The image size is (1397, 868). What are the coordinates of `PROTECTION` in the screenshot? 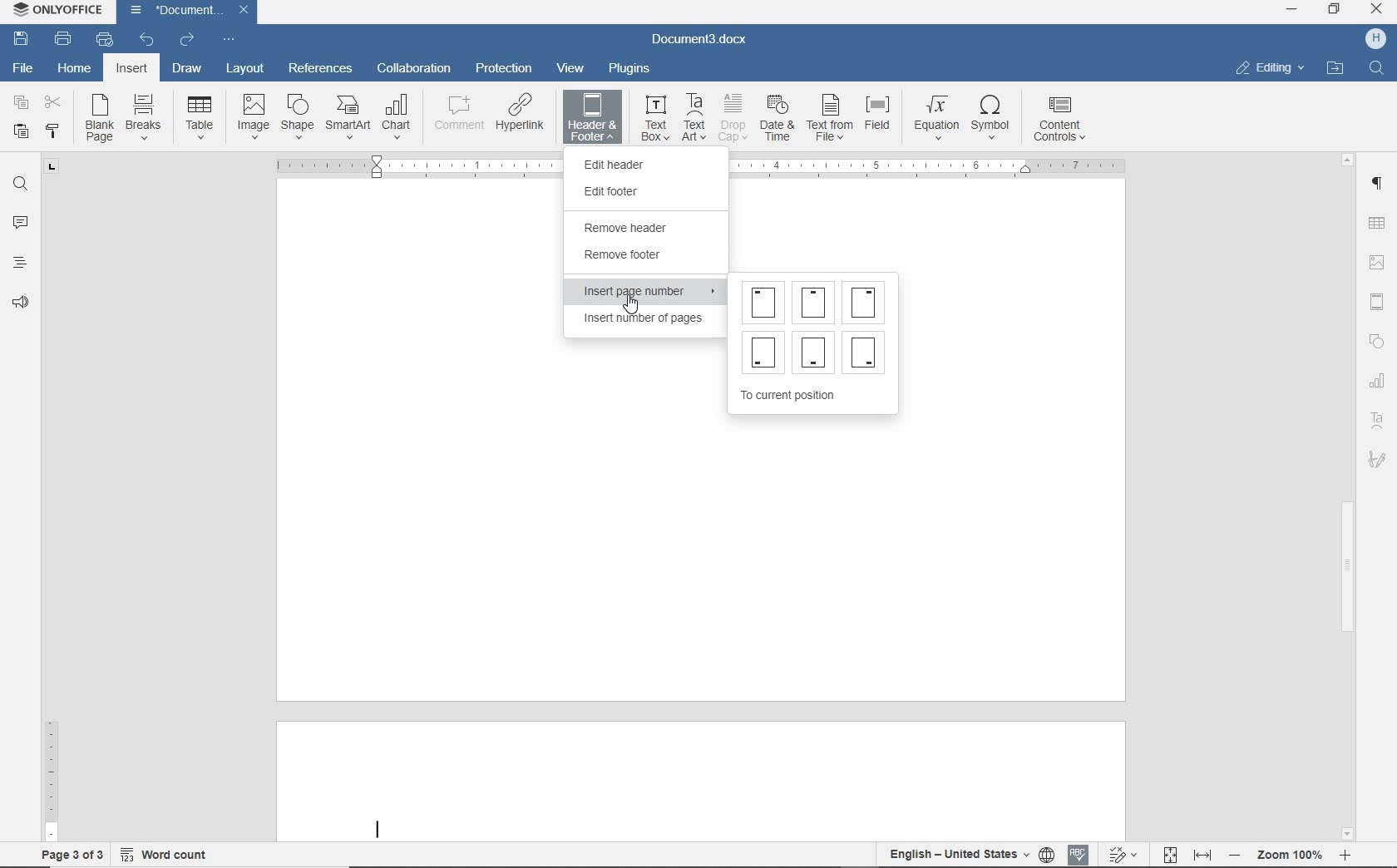 It's located at (504, 69).